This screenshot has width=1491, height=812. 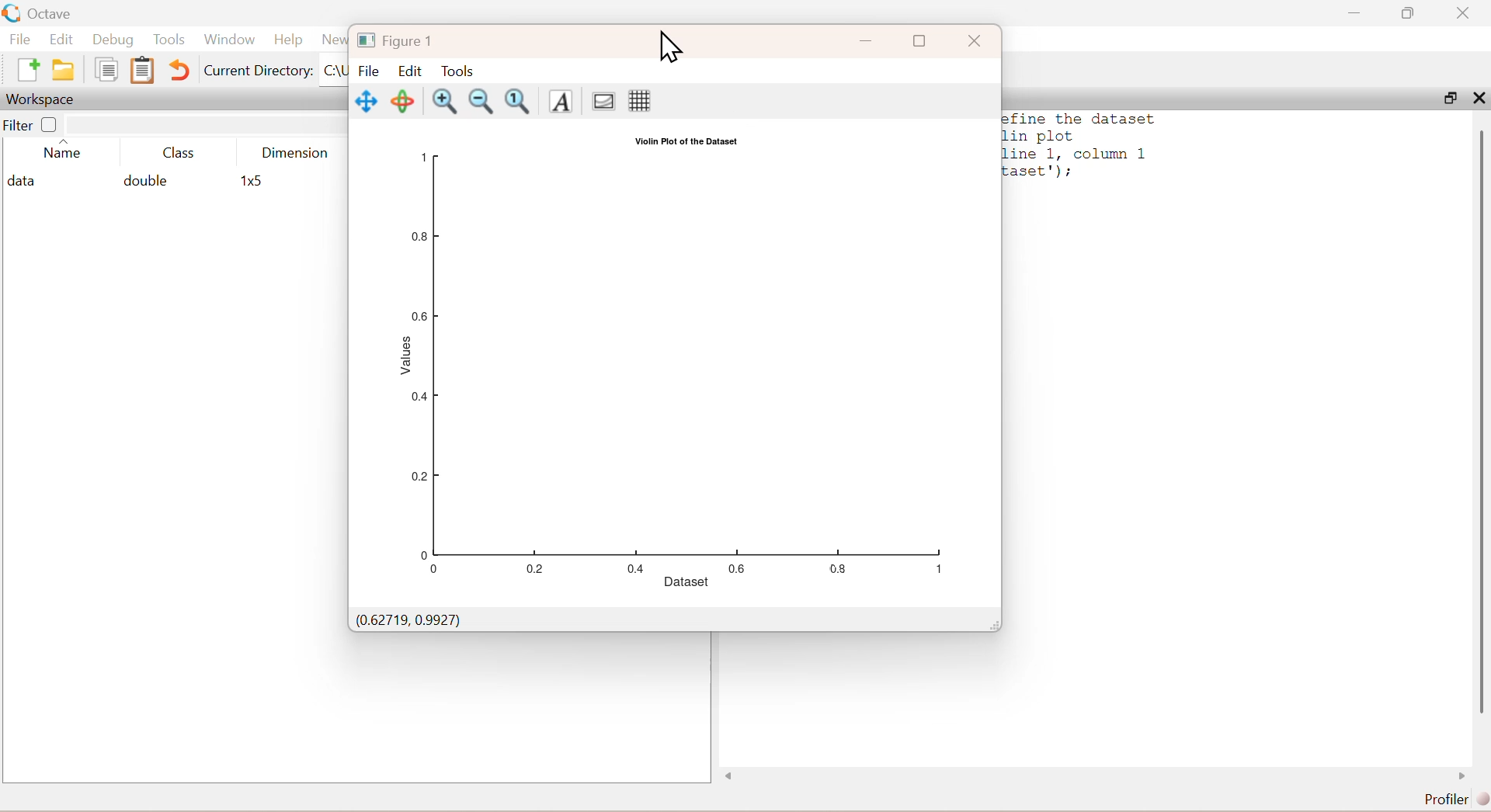 I want to click on open in separate window, so click(x=1451, y=98).